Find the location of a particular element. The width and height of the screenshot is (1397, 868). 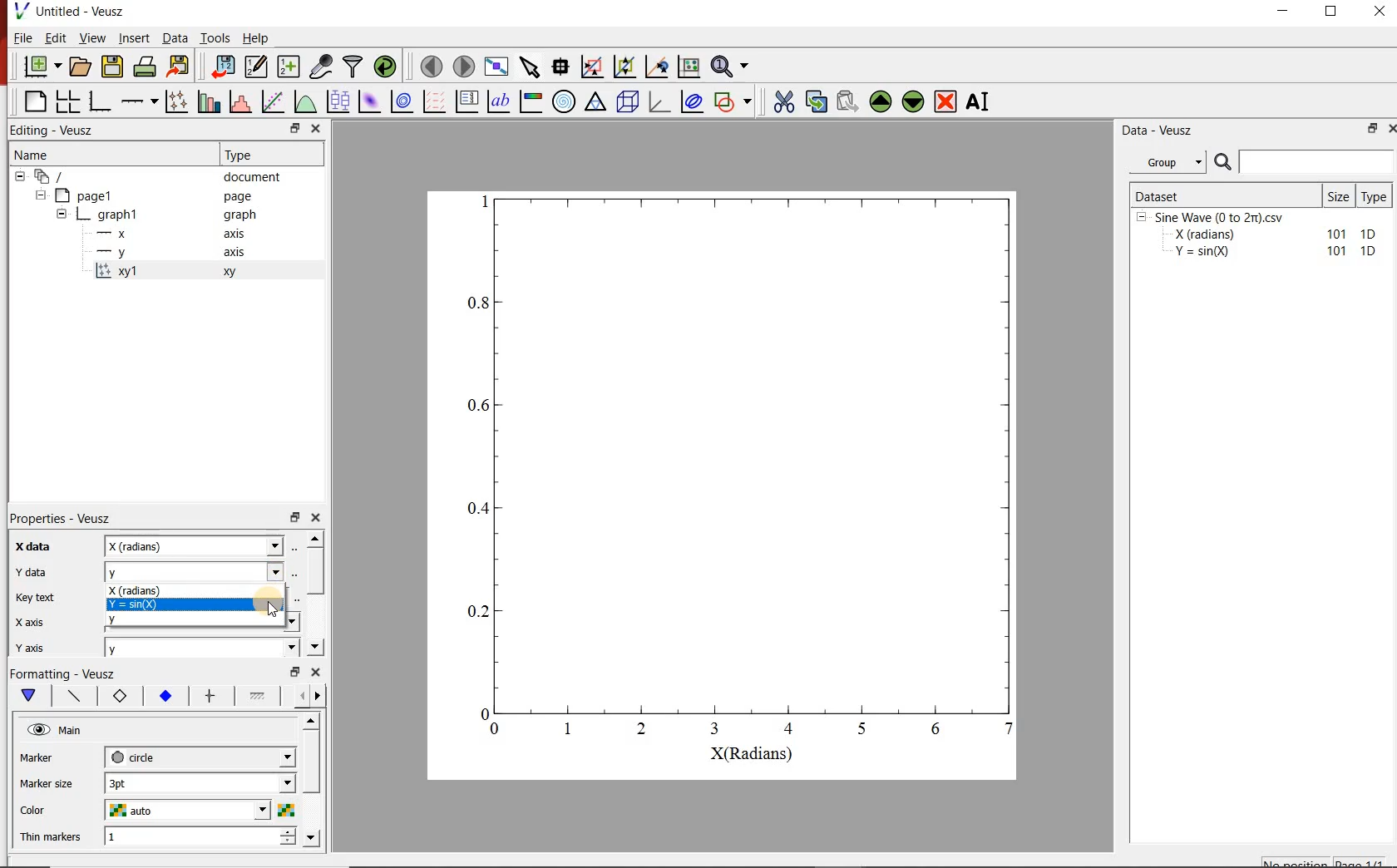

document is located at coordinates (253, 177).